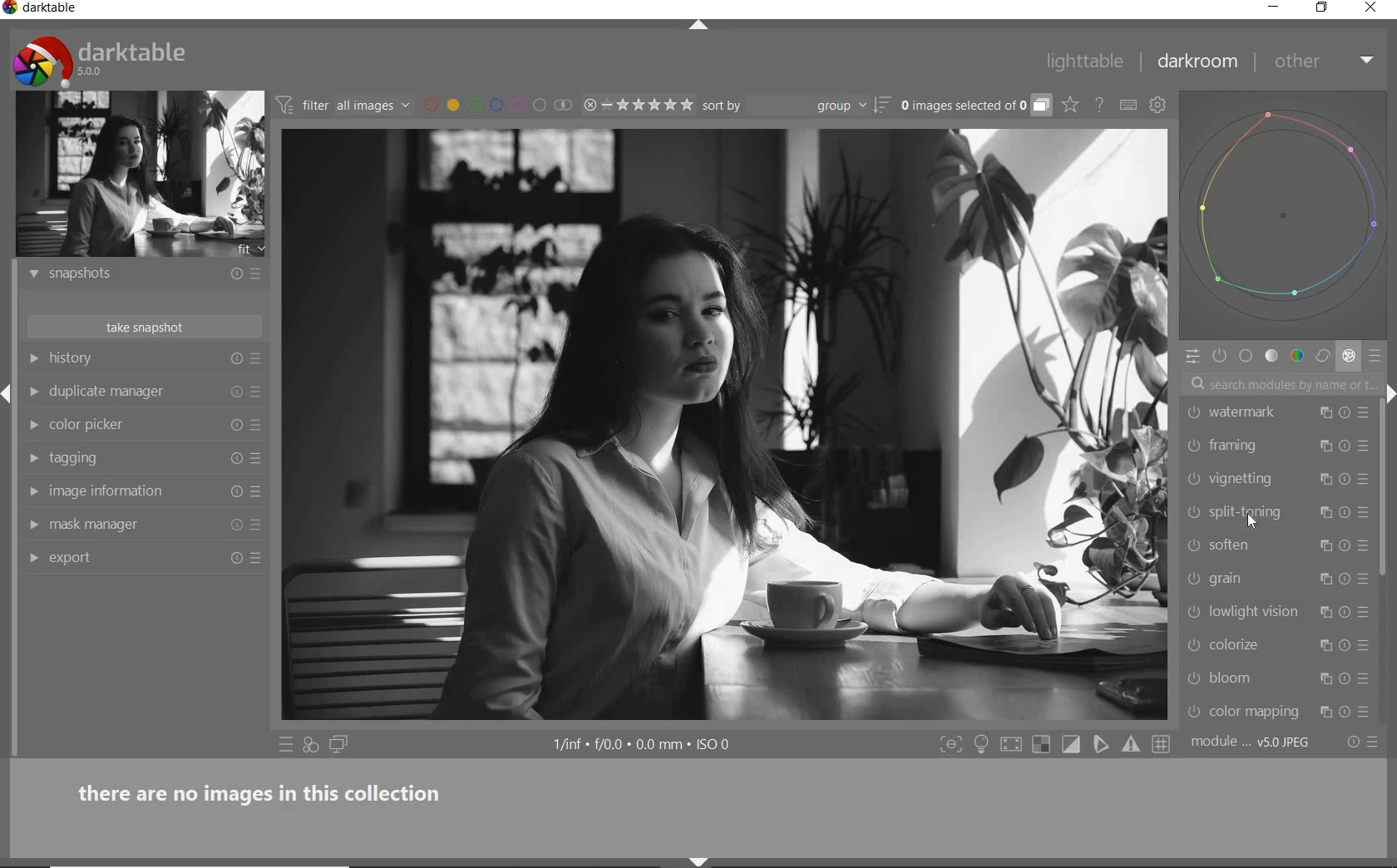 Image resolution: width=1397 pixels, height=868 pixels. Describe the element at coordinates (1328, 611) in the screenshot. I see `multiple instance actions` at that location.